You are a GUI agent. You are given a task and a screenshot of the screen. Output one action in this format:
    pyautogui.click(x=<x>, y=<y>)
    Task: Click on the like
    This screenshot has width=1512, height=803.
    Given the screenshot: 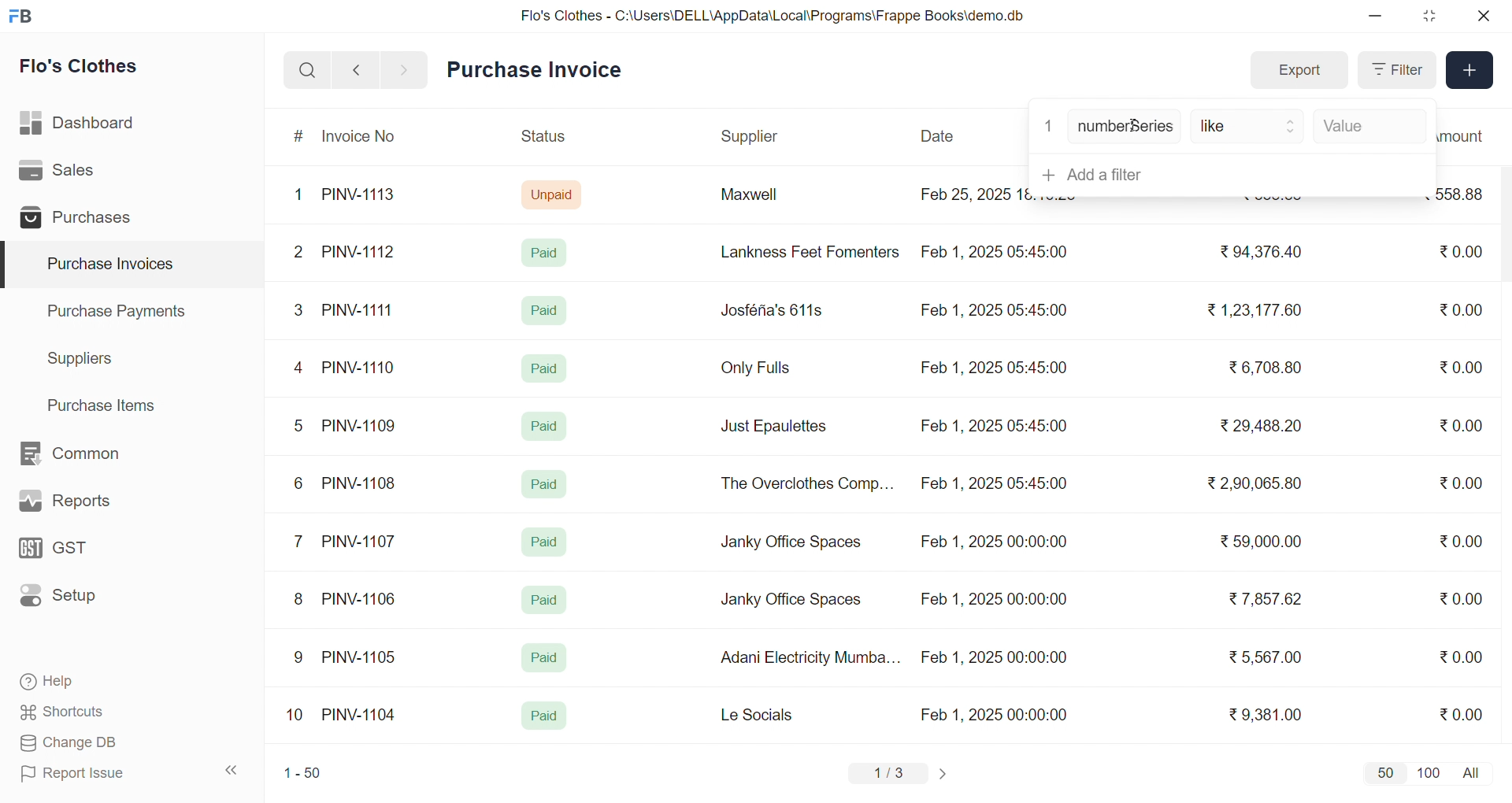 What is the action you would take?
    pyautogui.click(x=1249, y=128)
    